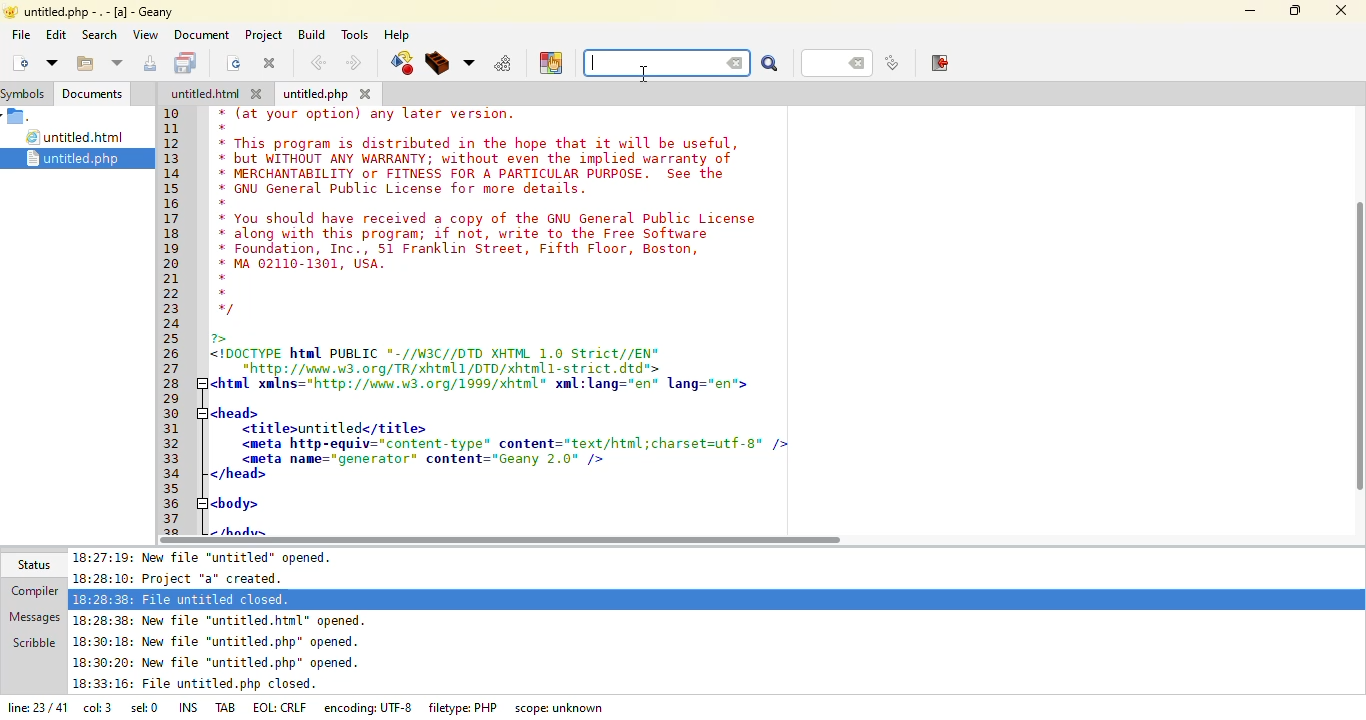  I want to click on messages, so click(33, 615).